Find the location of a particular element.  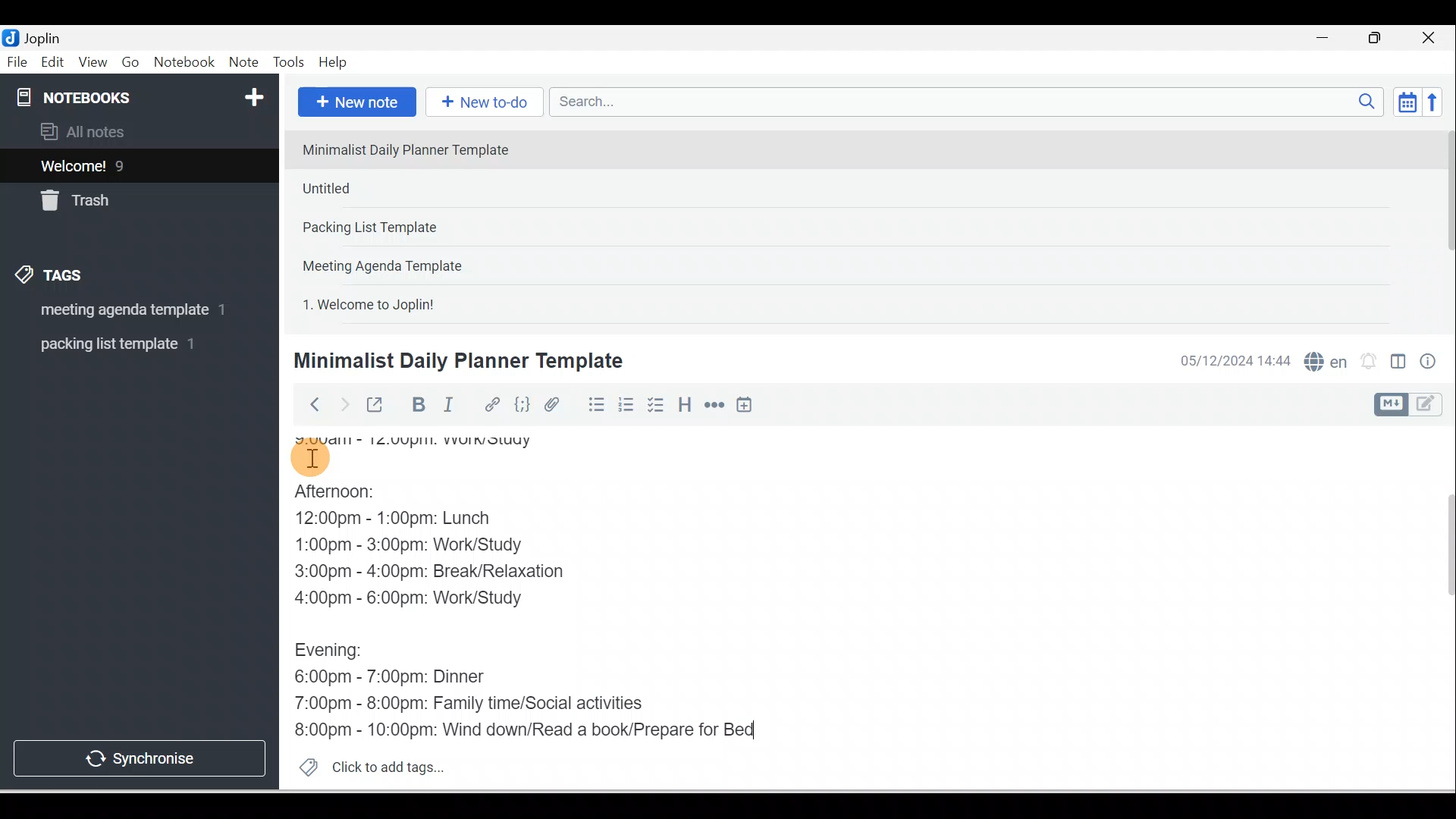

Bulleted list is located at coordinates (593, 404).